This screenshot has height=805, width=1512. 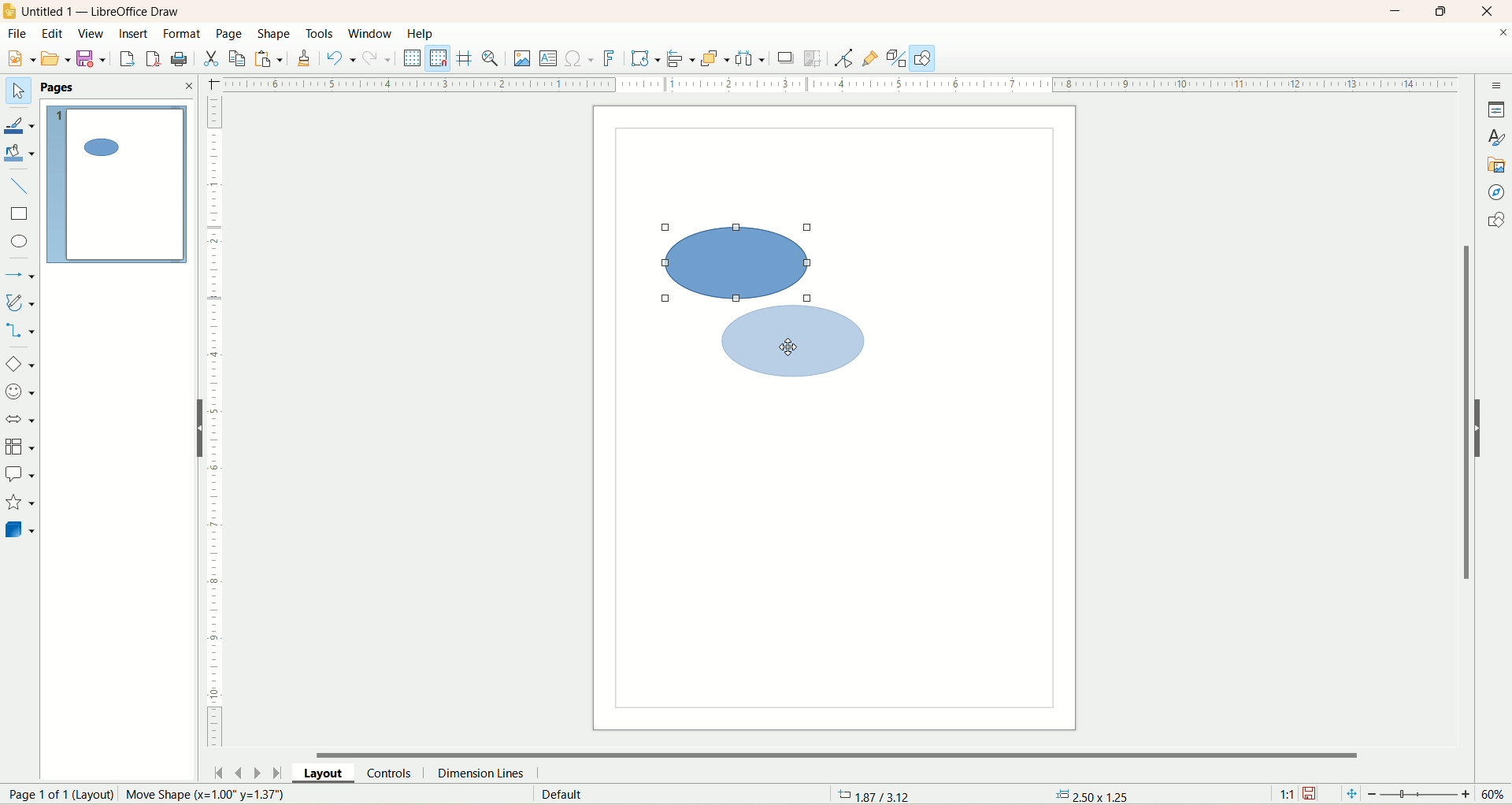 I want to click on zoom factor, so click(x=1421, y=793).